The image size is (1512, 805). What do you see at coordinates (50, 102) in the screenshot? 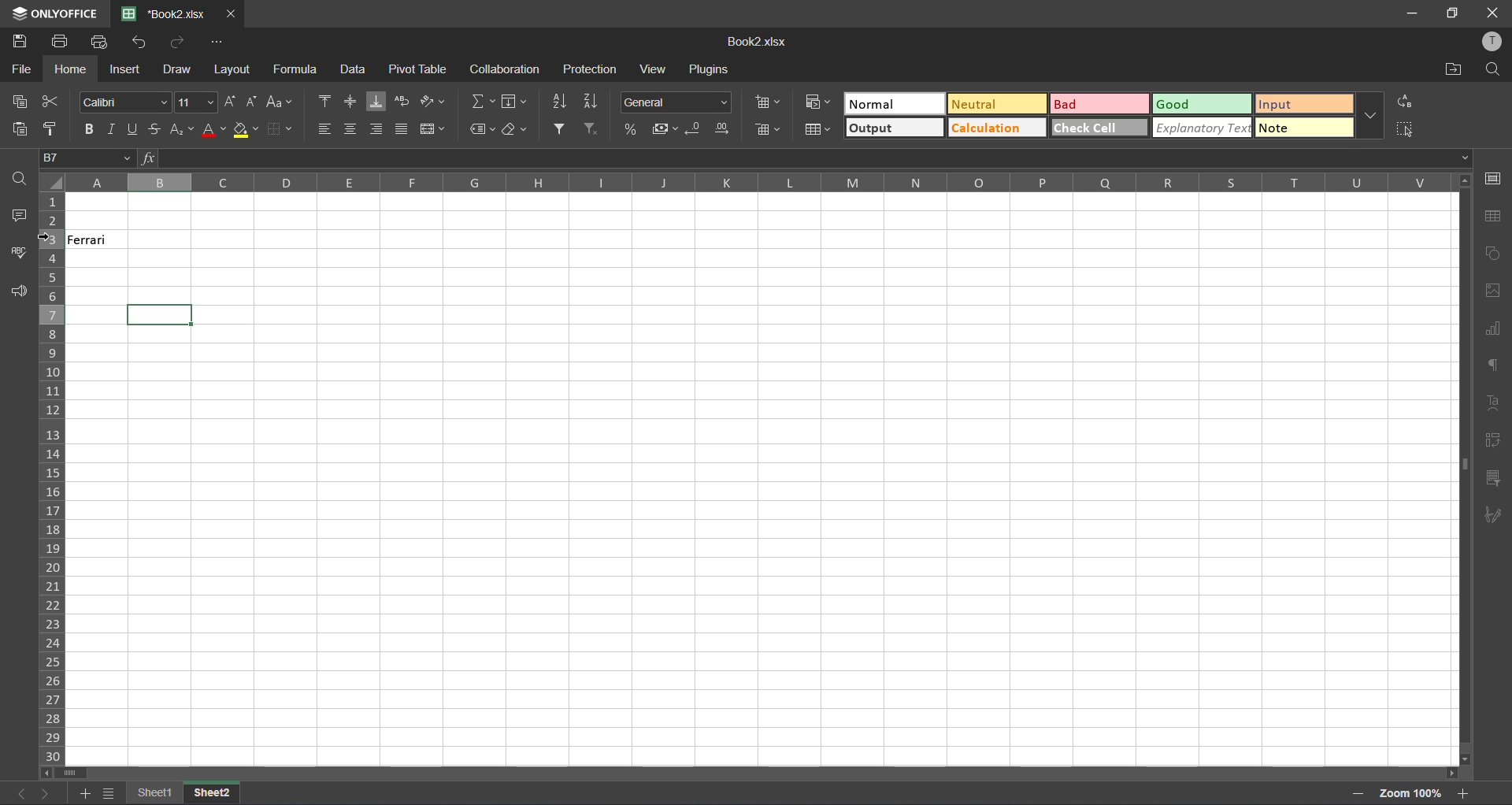
I see `cut` at bounding box center [50, 102].